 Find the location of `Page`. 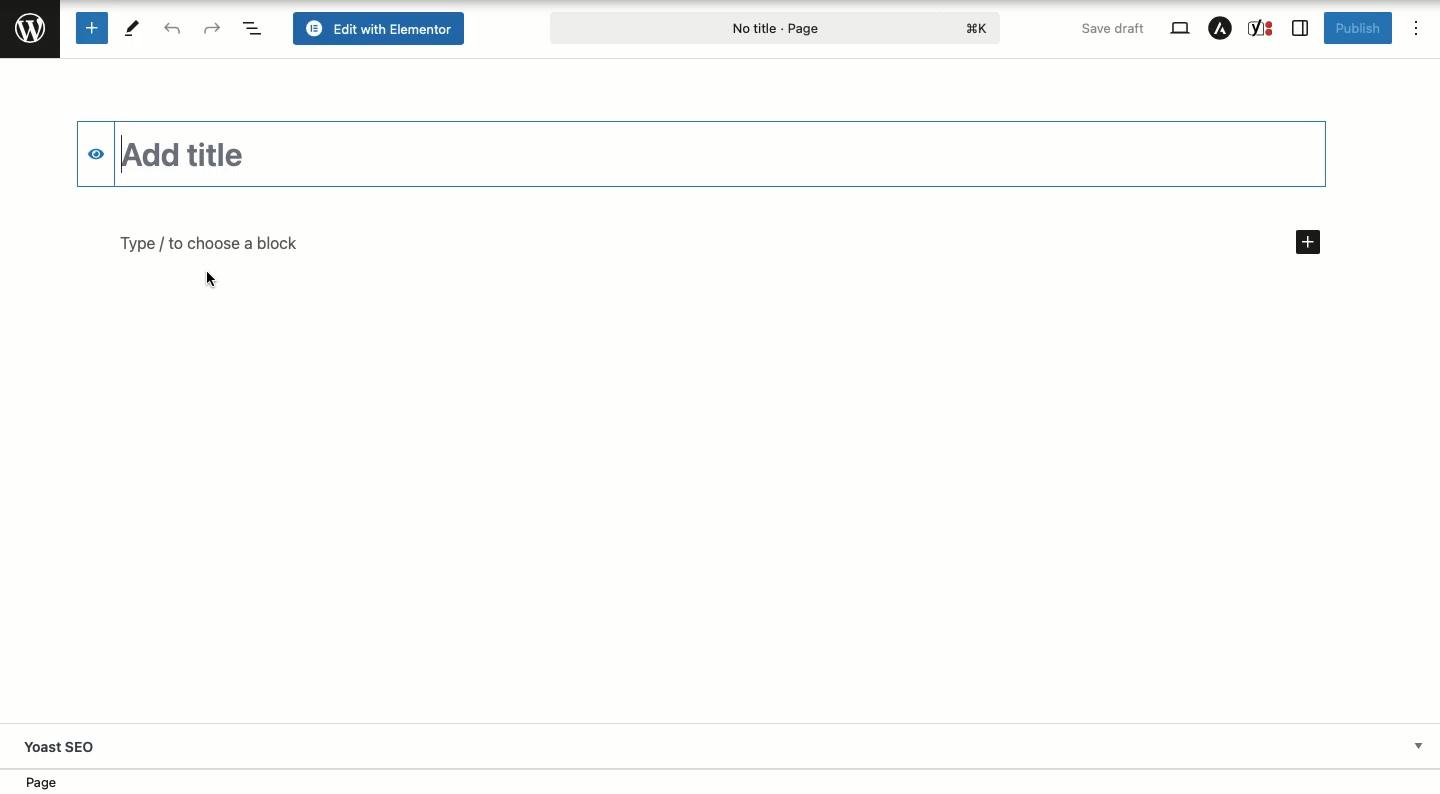

Page is located at coordinates (50, 783).